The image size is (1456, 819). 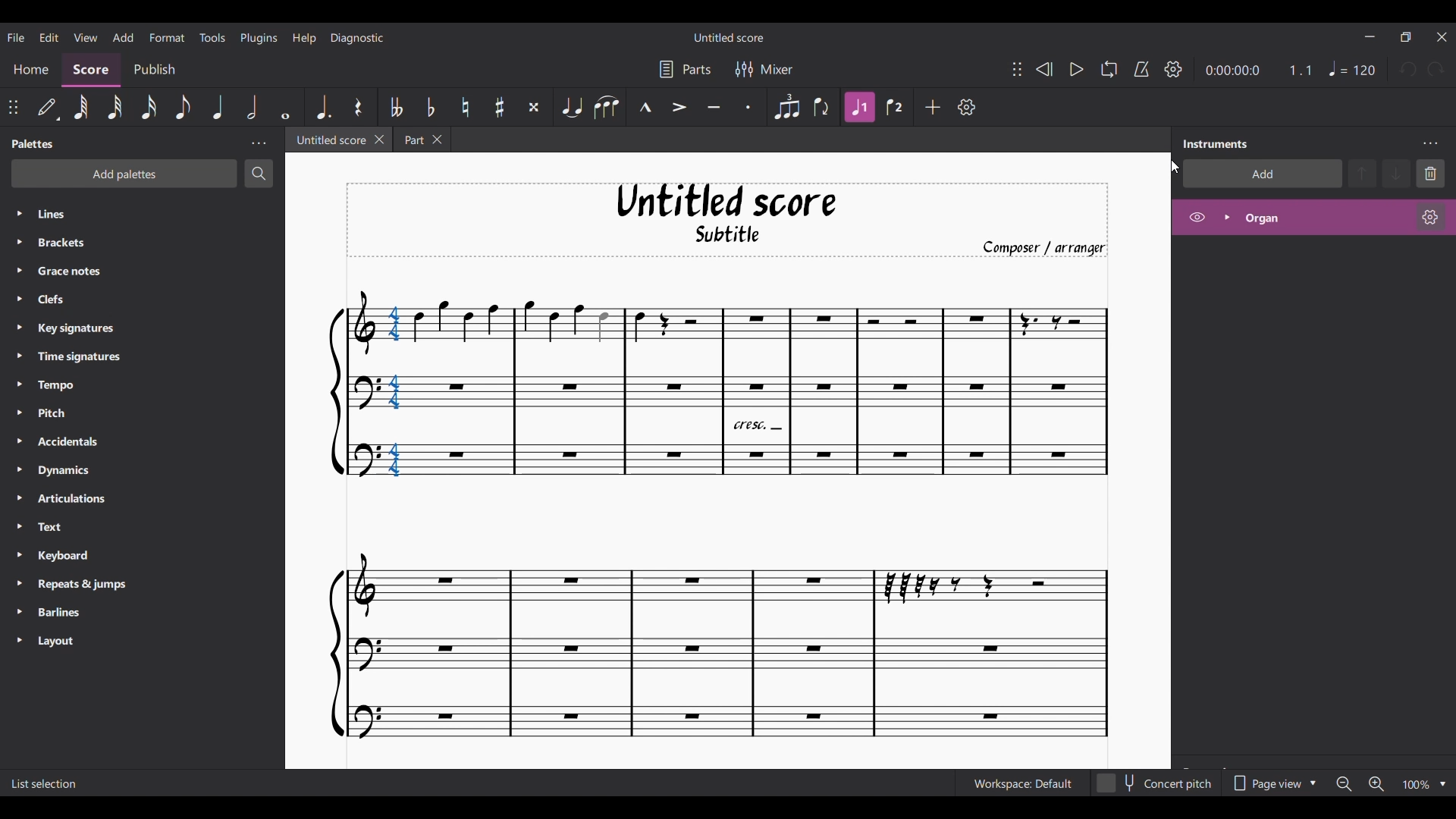 I want to click on Plugins menu, so click(x=259, y=38).